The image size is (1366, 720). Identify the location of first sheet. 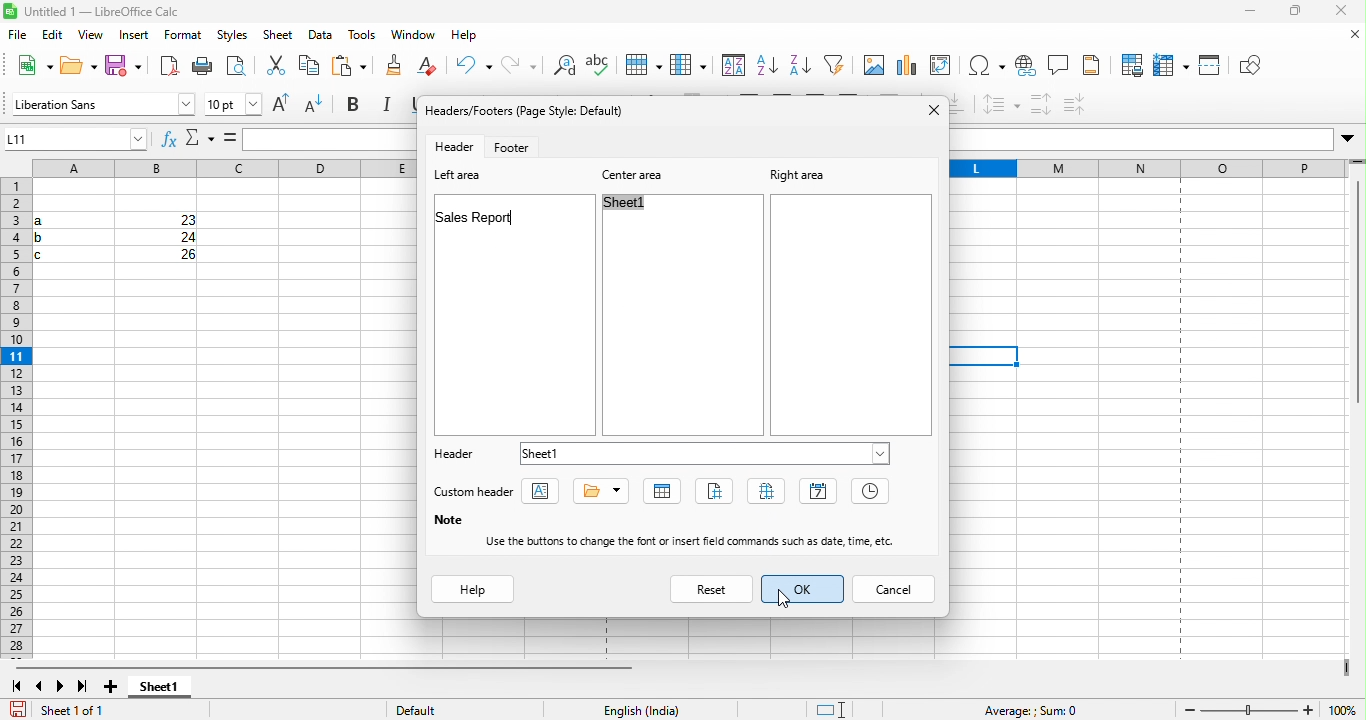
(15, 683).